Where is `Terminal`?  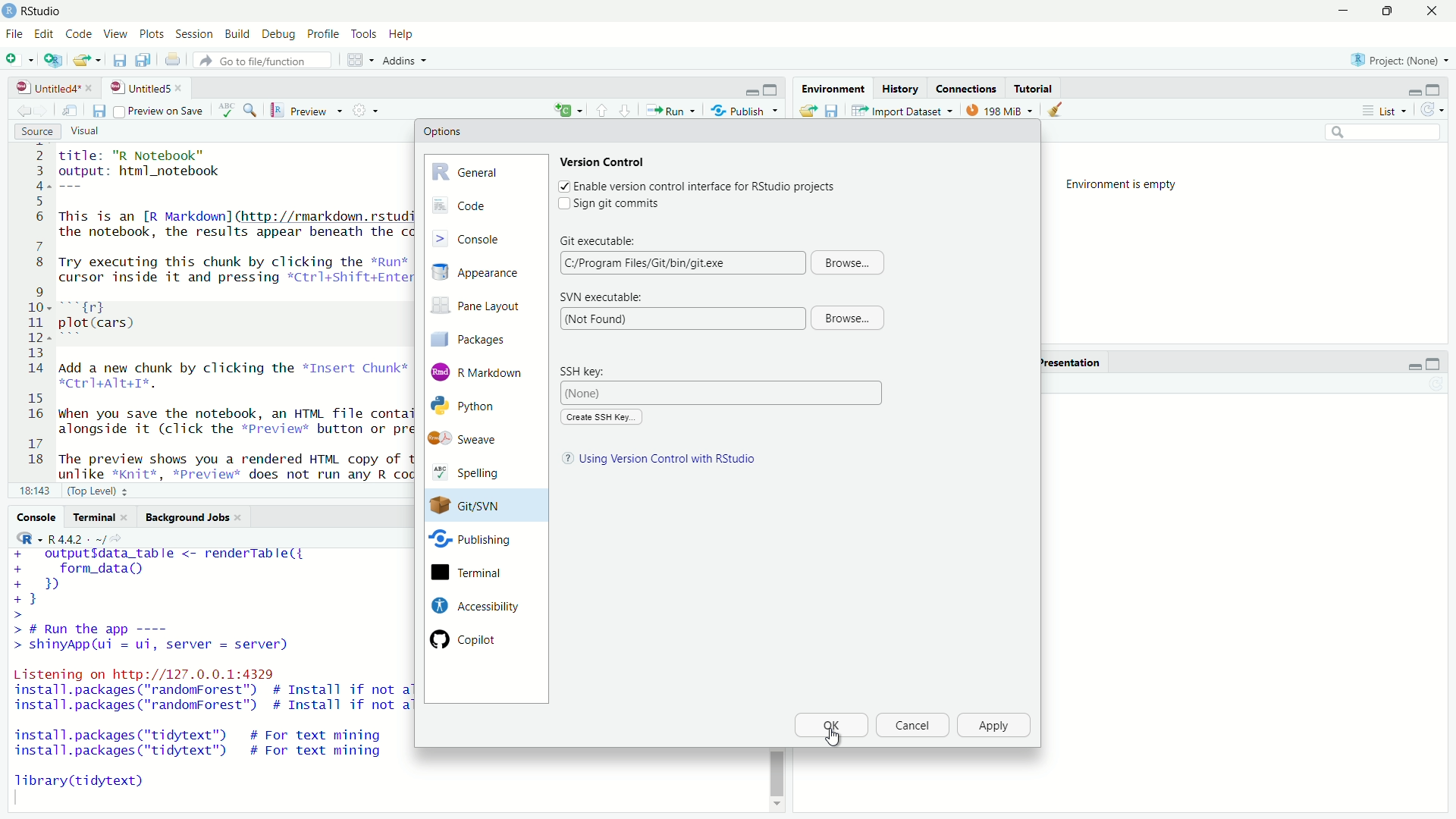 Terminal is located at coordinates (100, 517).